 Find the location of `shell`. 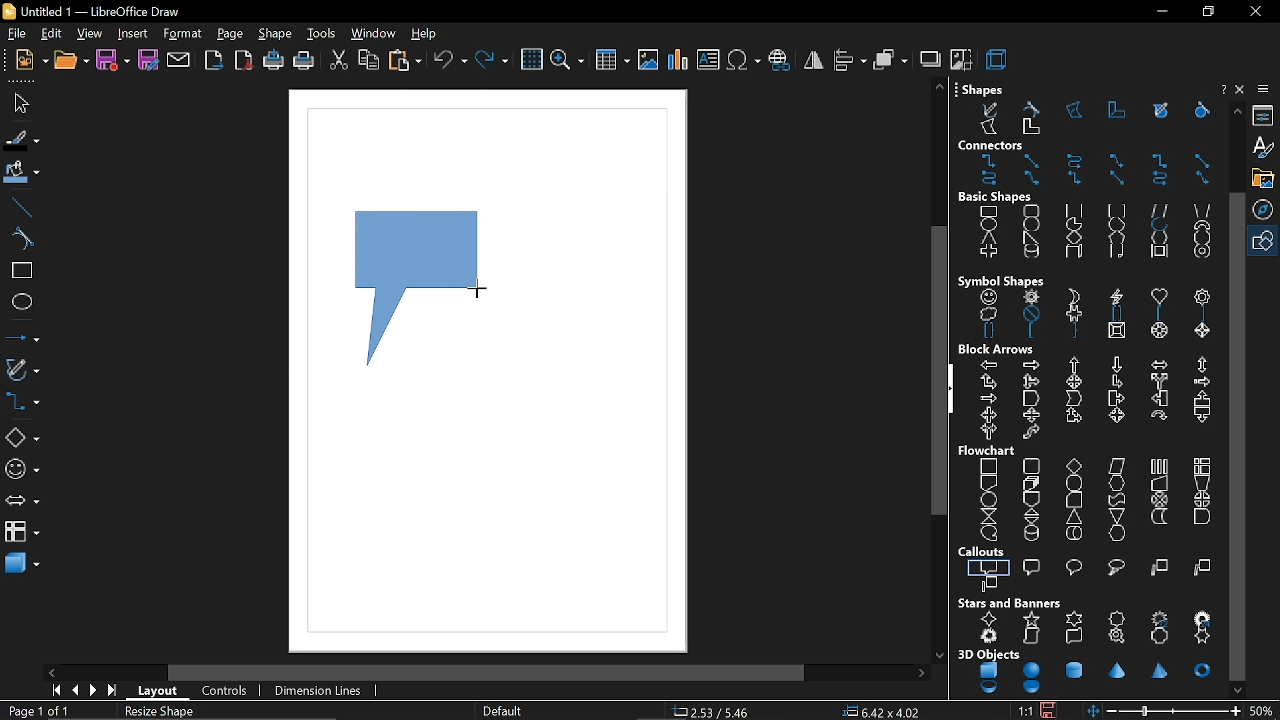

shell is located at coordinates (991, 688).